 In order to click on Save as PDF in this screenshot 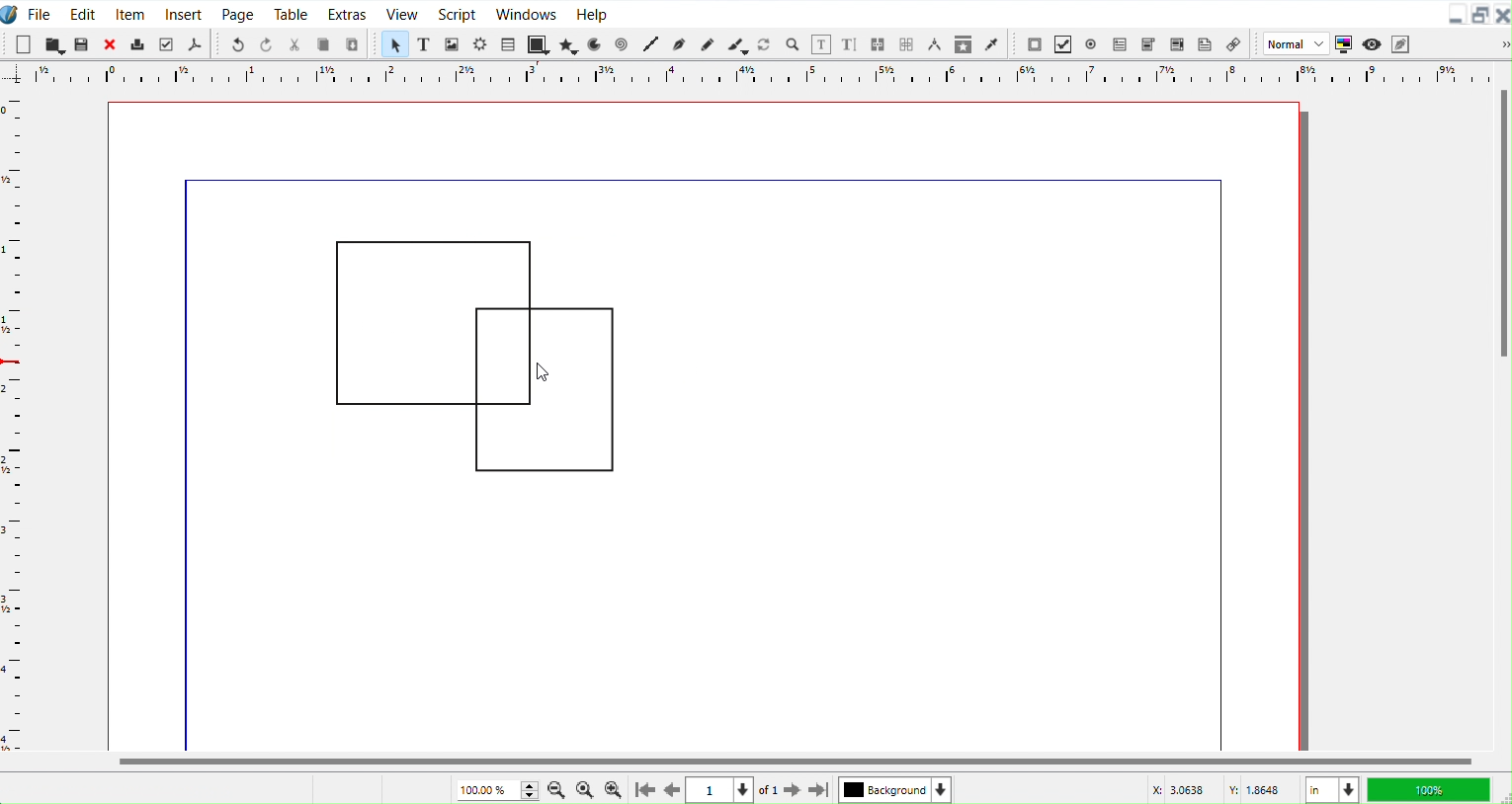, I will do `click(195, 43)`.